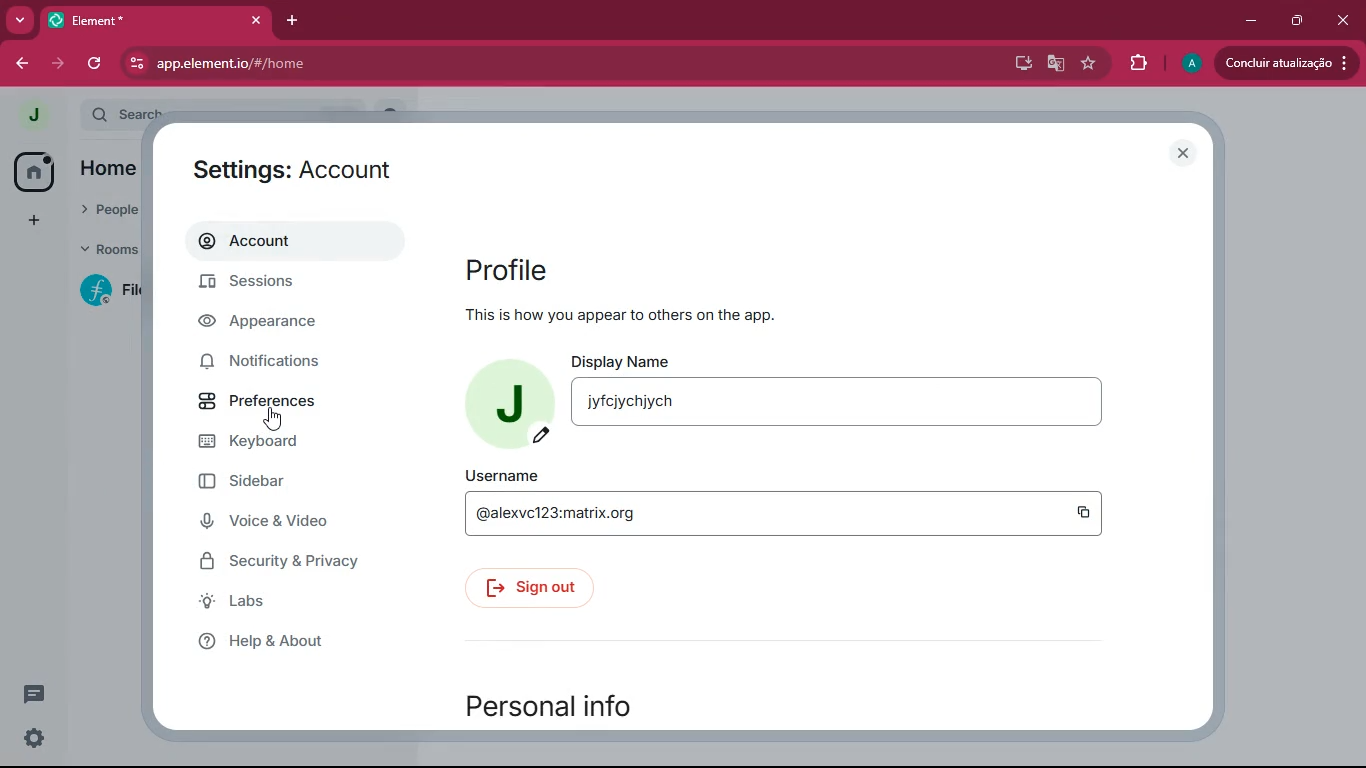 The image size is (1366, 768). Describe the element at coordinates (105, 208) in the screenshot. I see `people` at that location.